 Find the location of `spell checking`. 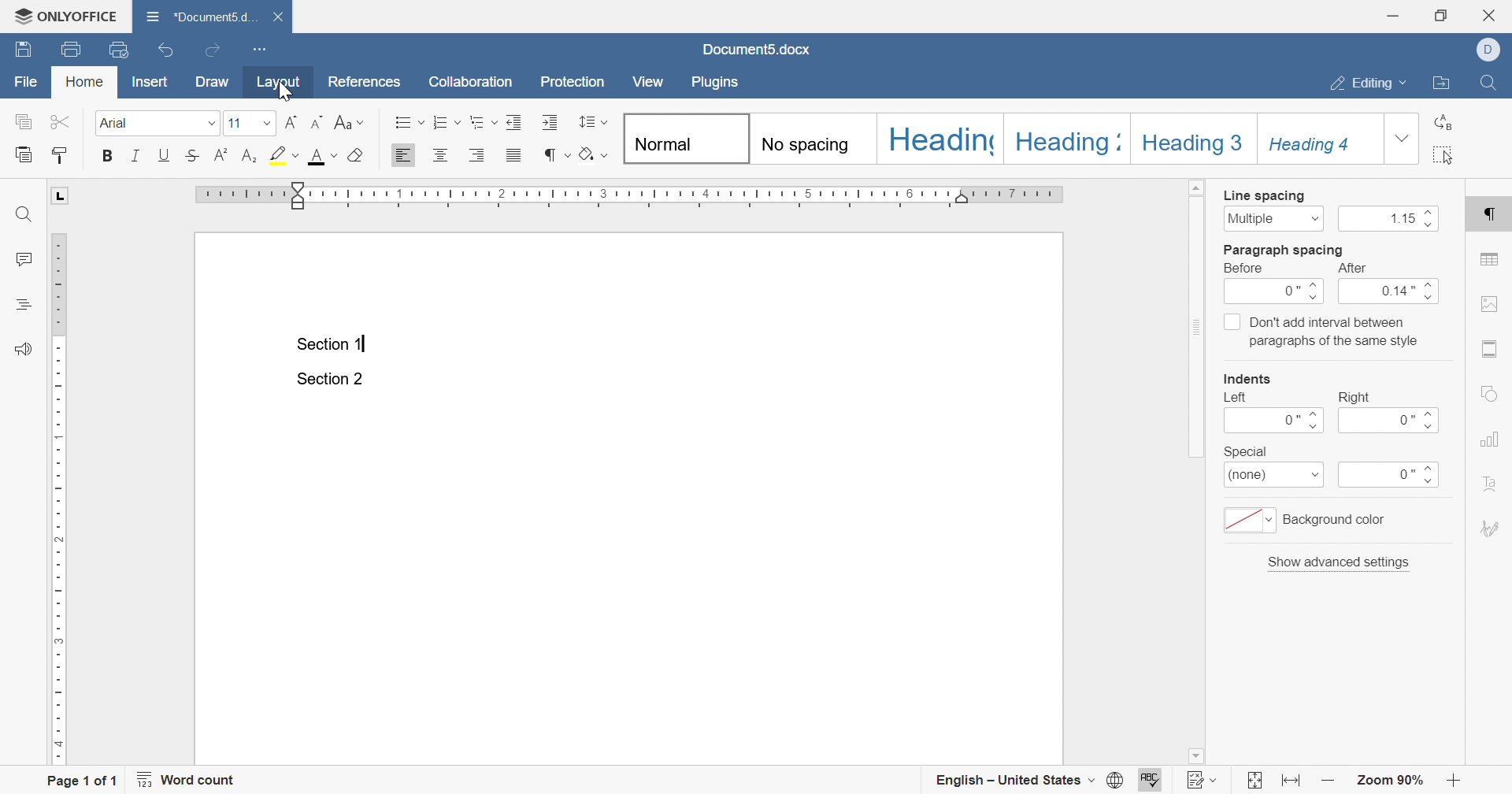

spell checking is located at coordinates (1153, 779).